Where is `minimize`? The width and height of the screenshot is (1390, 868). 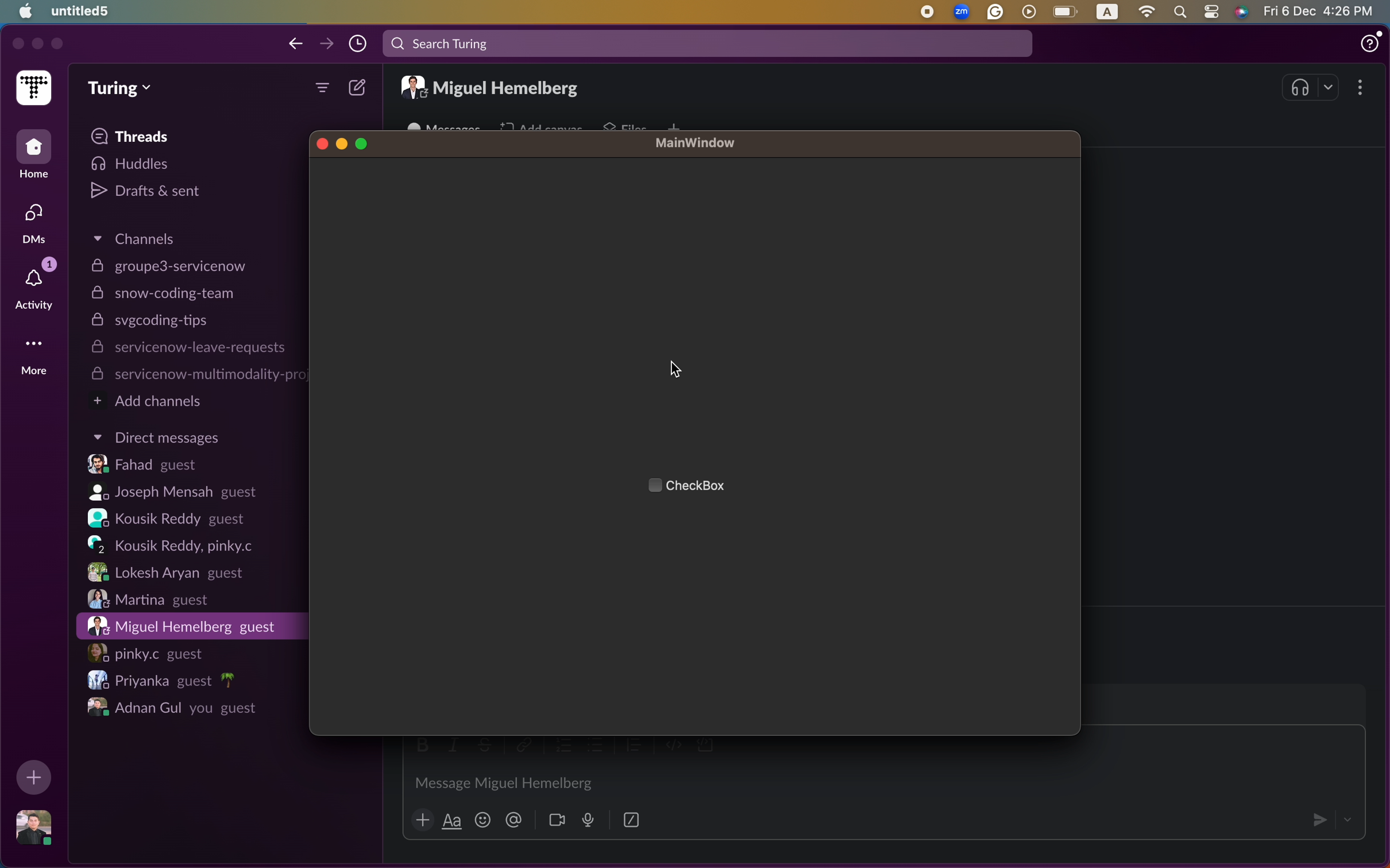
minimize is located at coordinates (37, 45).